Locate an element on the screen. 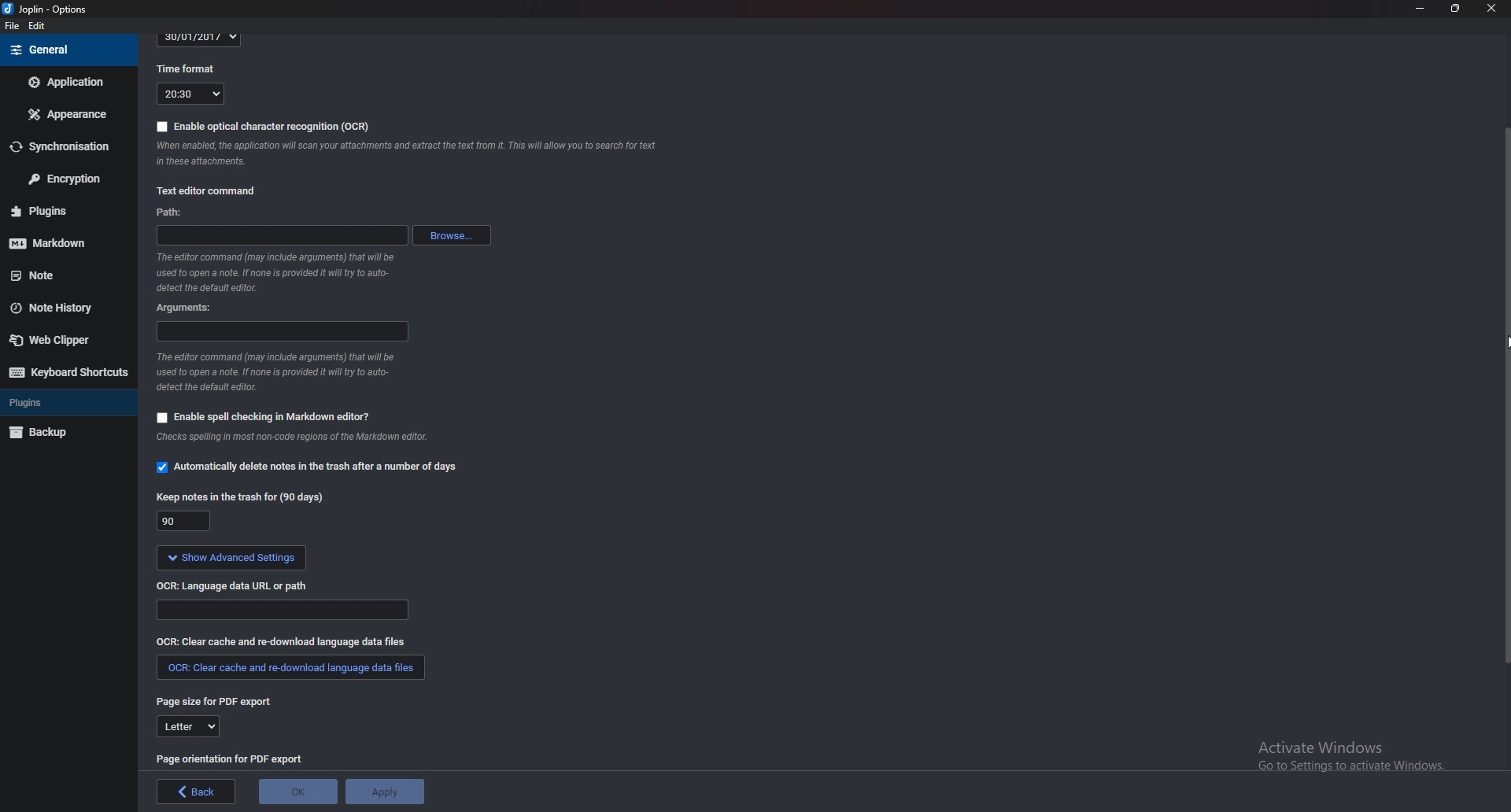  Enable O C R is located at coordinates (264, 127).